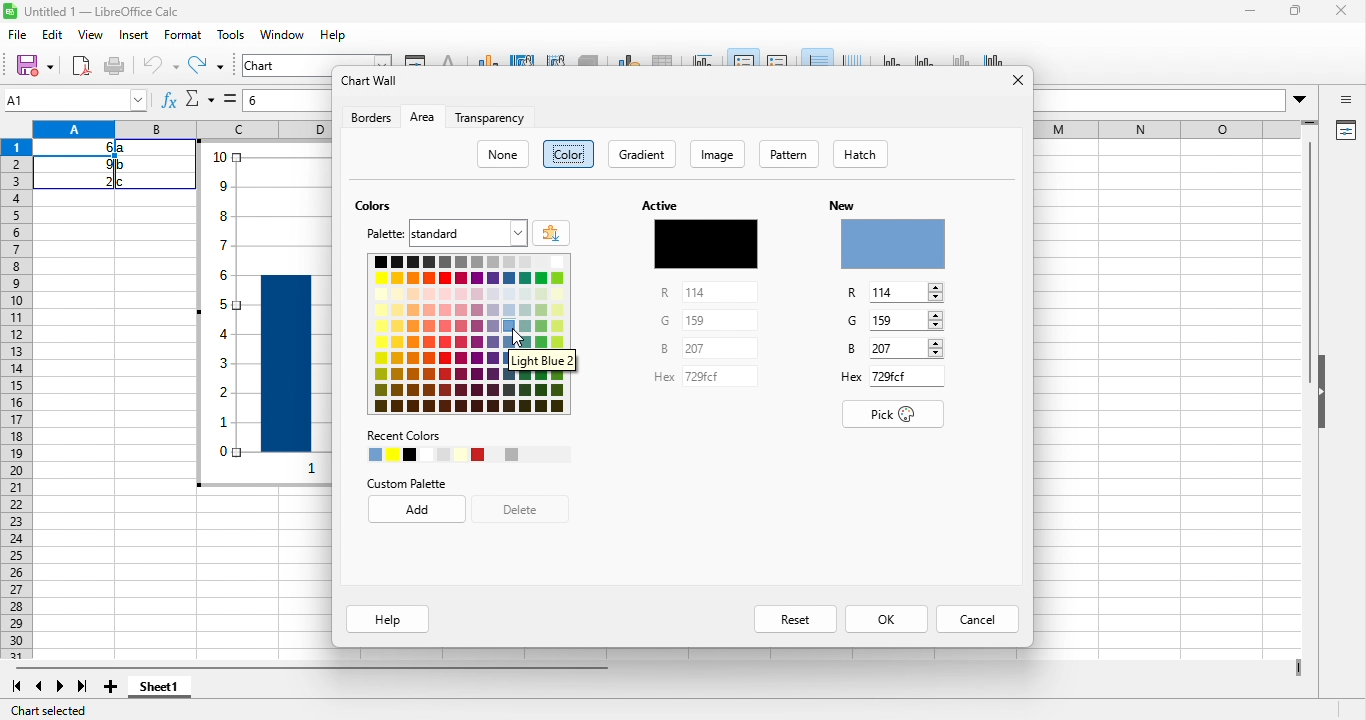  Describe the element at coordinates (470, 333) in the screenshot. I see `colors` at that location.